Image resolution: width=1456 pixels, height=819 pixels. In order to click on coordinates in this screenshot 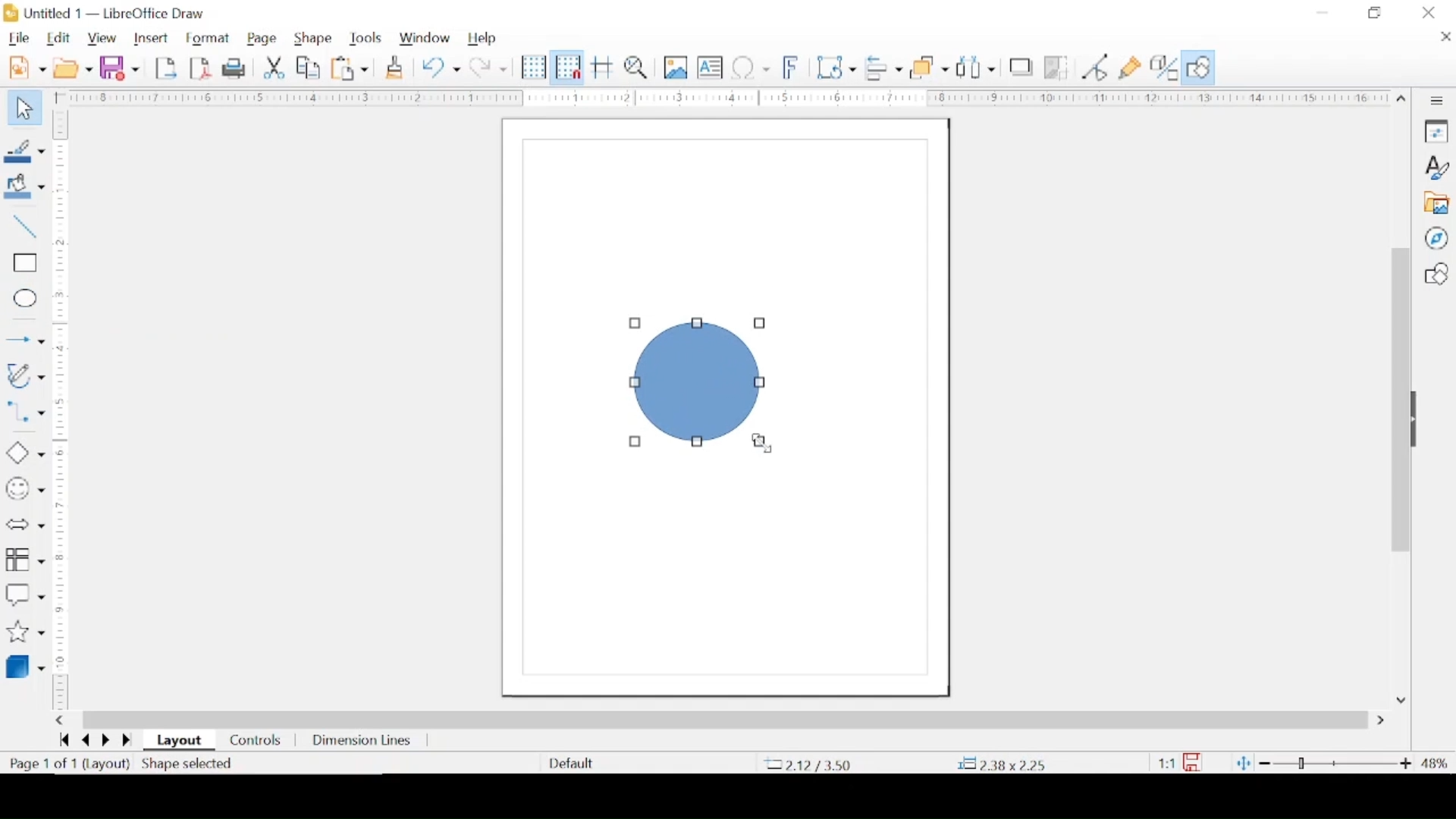, I will do `click(998, 763)`.